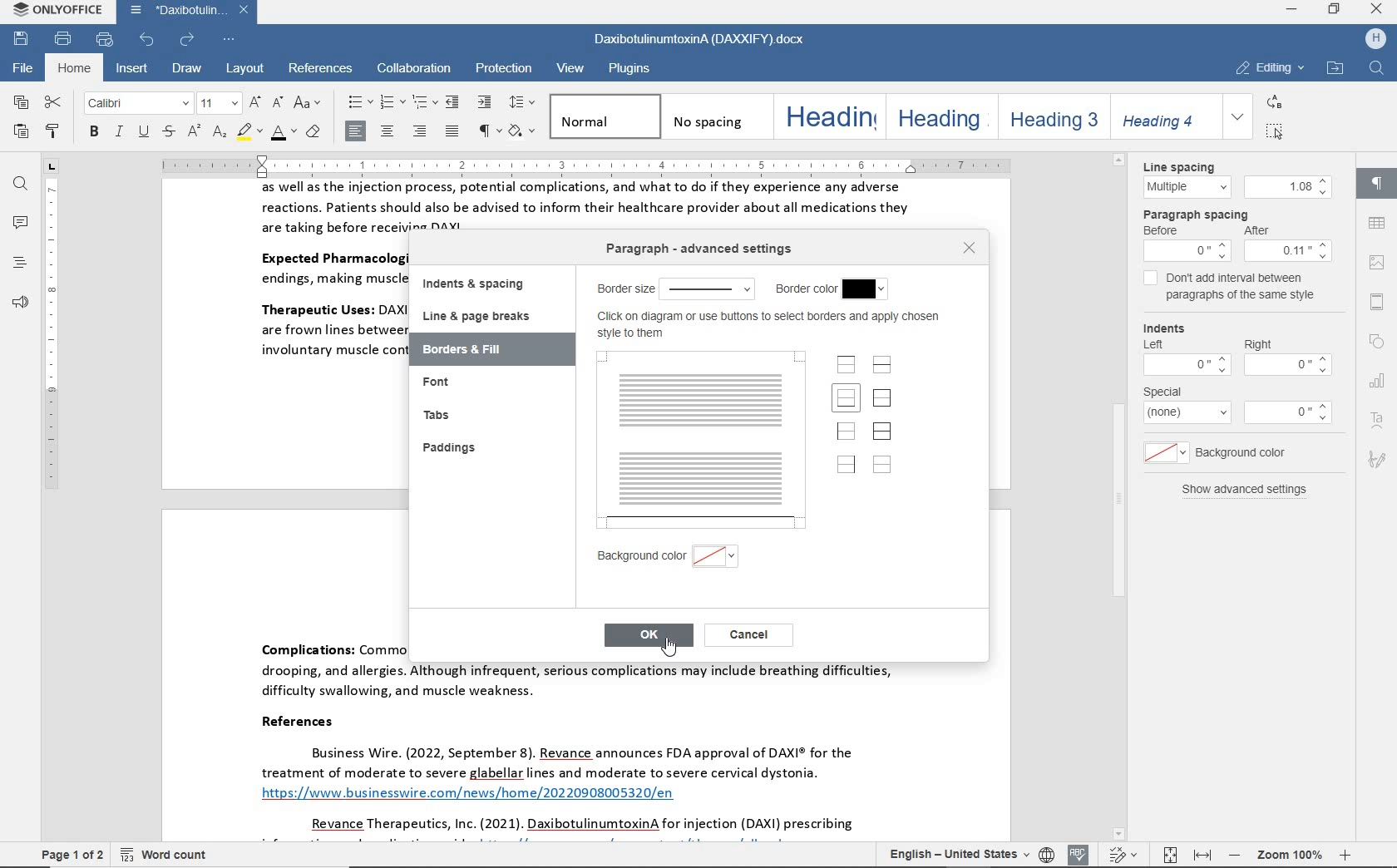  What do you see at coordinates (664, 651) in the screenshot?
I see `pointer` at bounding box center [664, 651].